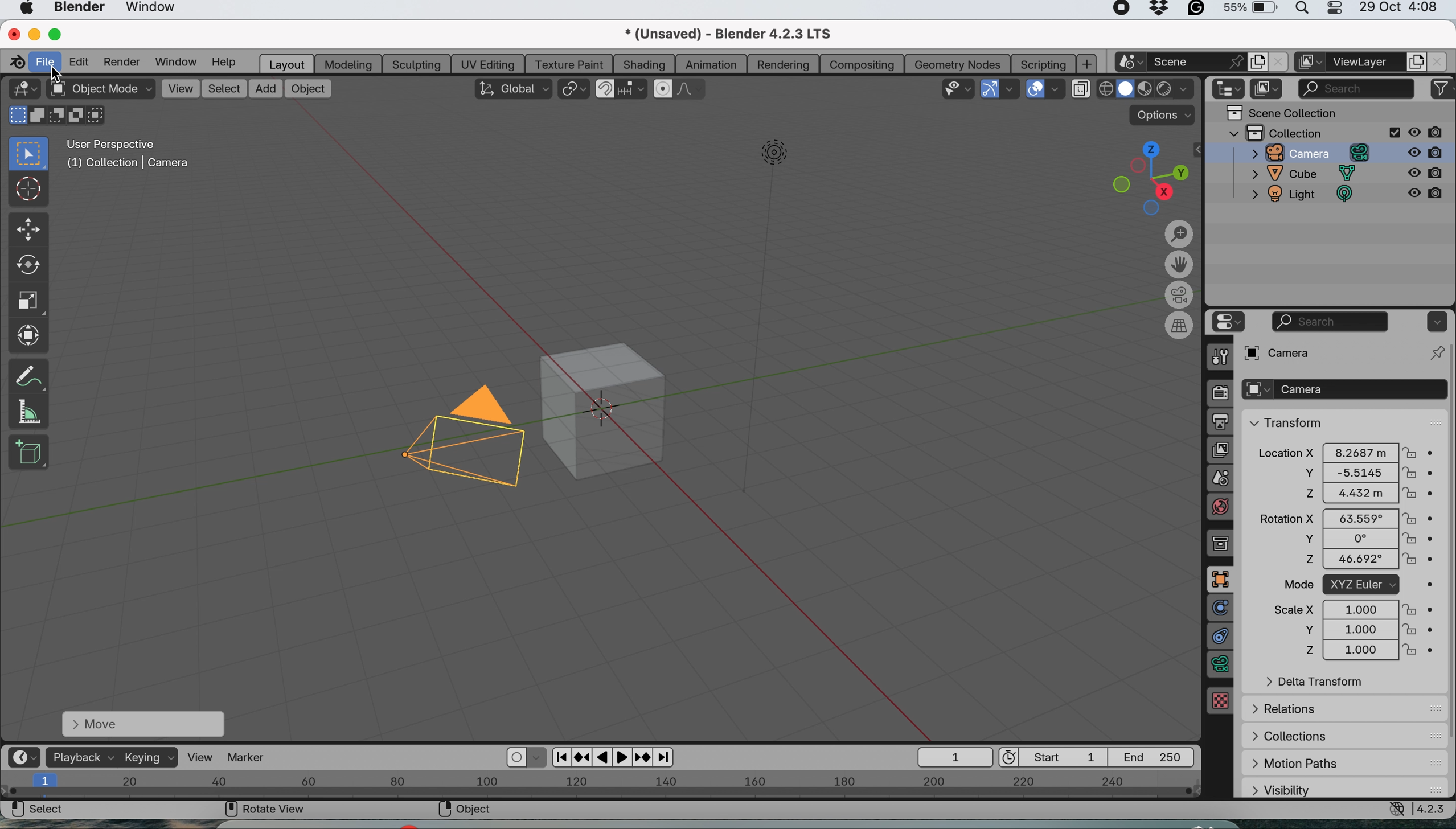 This screenshot has height=829, width=1456. I want to click on compositing, so click(862, 63).